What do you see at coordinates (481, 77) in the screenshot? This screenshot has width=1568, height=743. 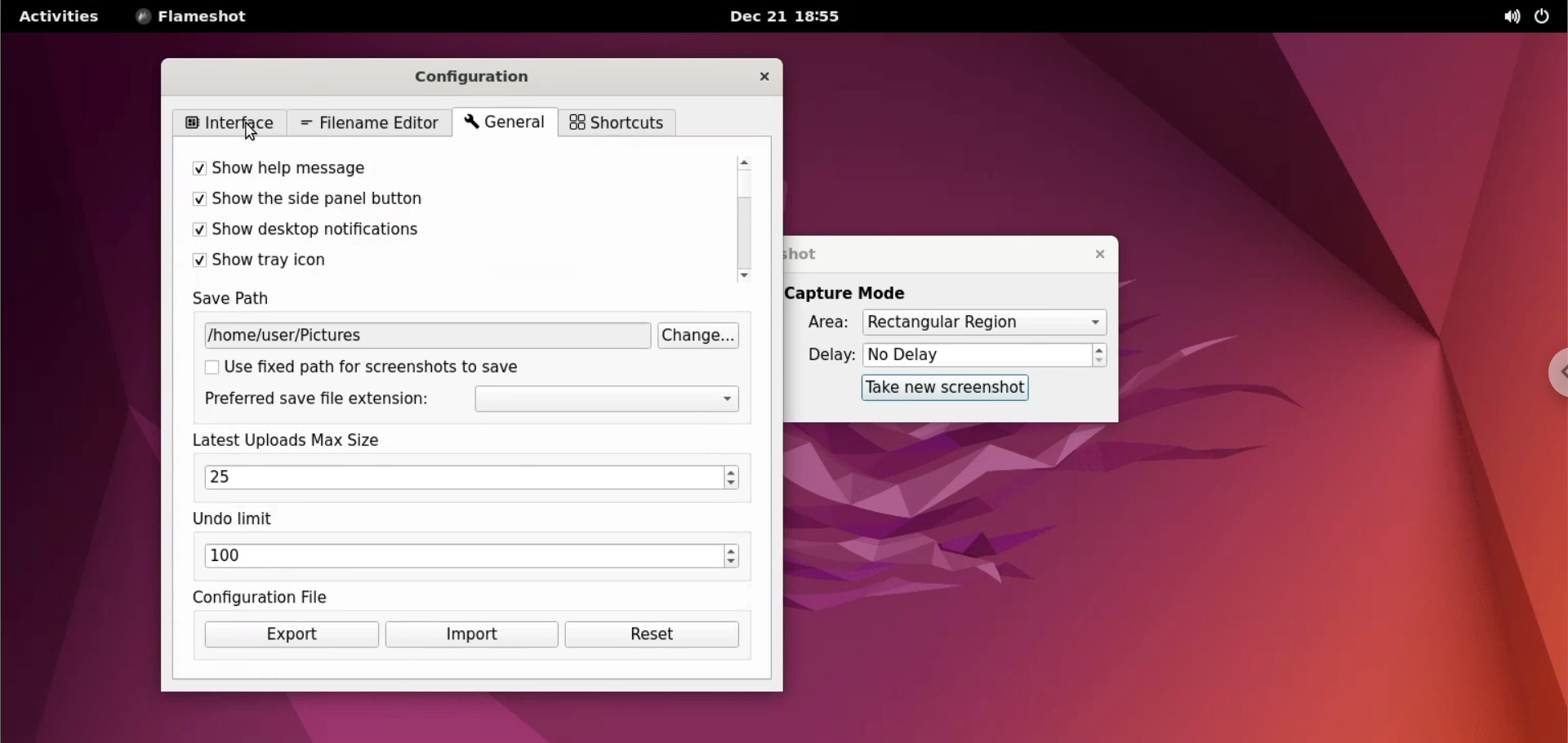 I see `configuration` at bounding box center [481, 77].